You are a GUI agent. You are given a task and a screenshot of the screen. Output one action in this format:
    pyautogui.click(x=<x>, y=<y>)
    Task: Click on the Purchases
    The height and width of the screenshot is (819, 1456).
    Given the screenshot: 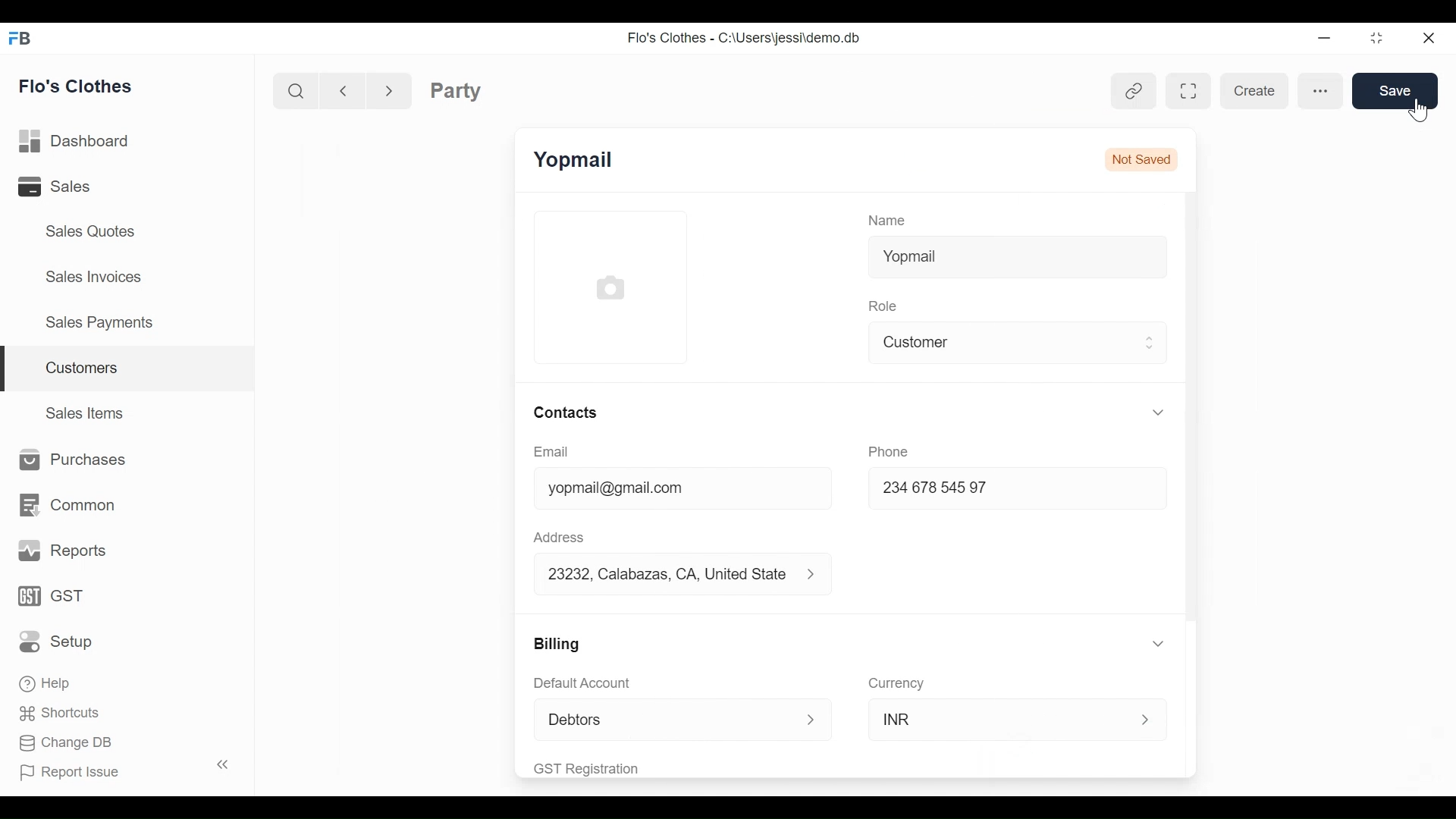 What is the action you would take?
    pyautogui.click(x=68, y=460)
    